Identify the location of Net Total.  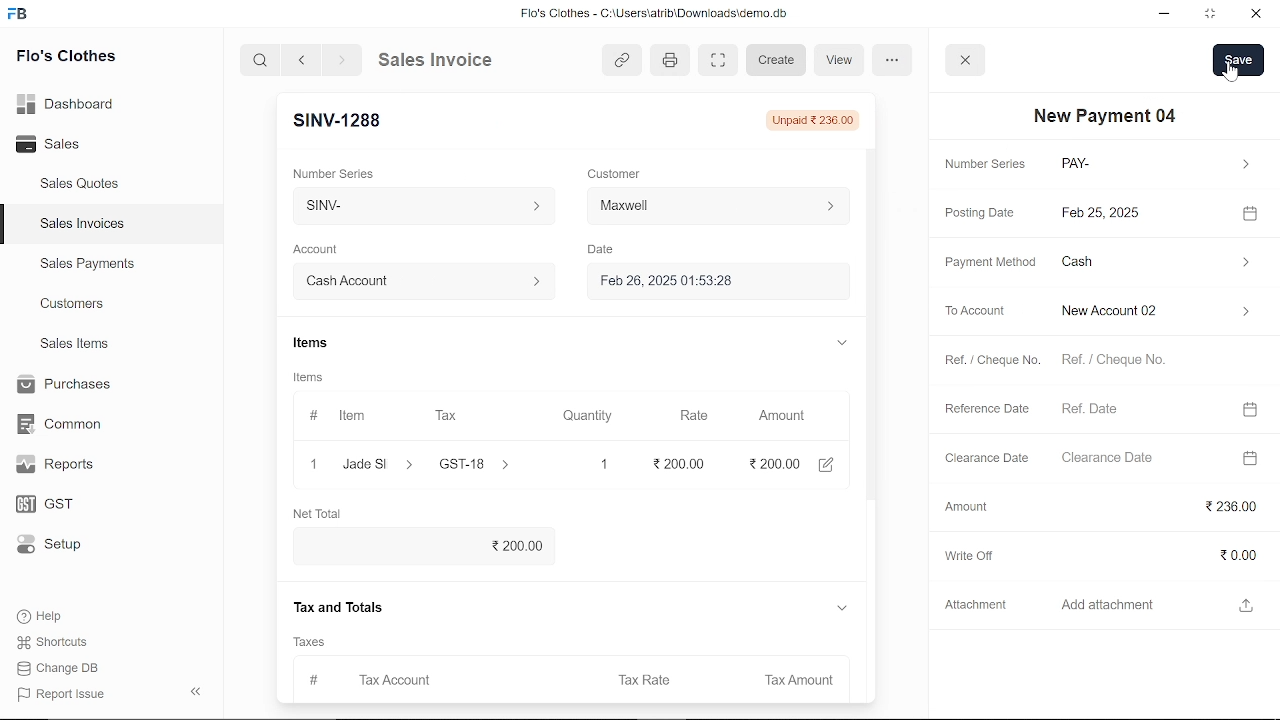
(325, 511).